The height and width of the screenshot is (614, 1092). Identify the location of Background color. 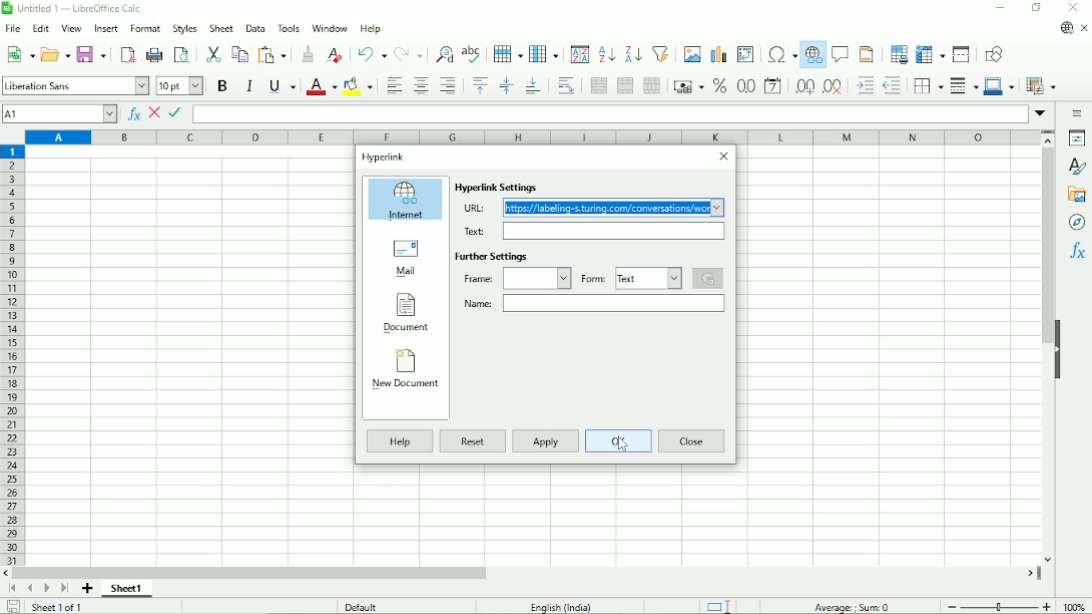
(357, 86).